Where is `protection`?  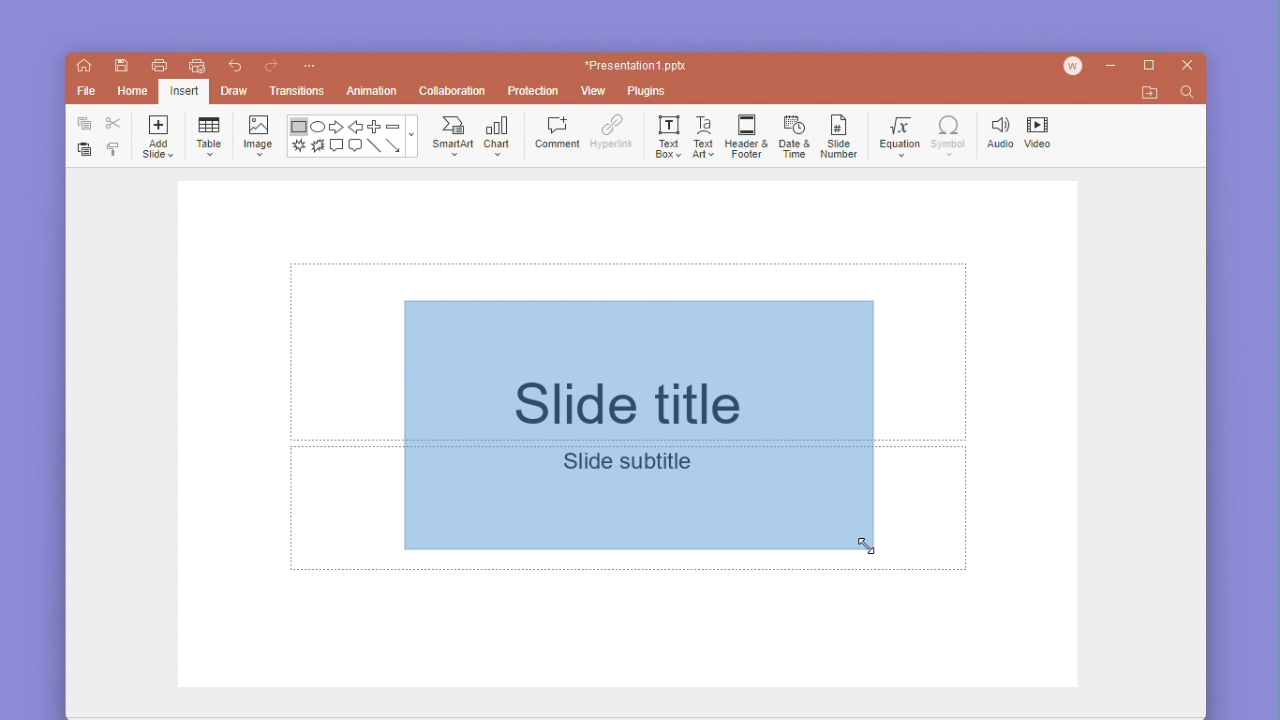 protection is located at coordinates (530, 91).